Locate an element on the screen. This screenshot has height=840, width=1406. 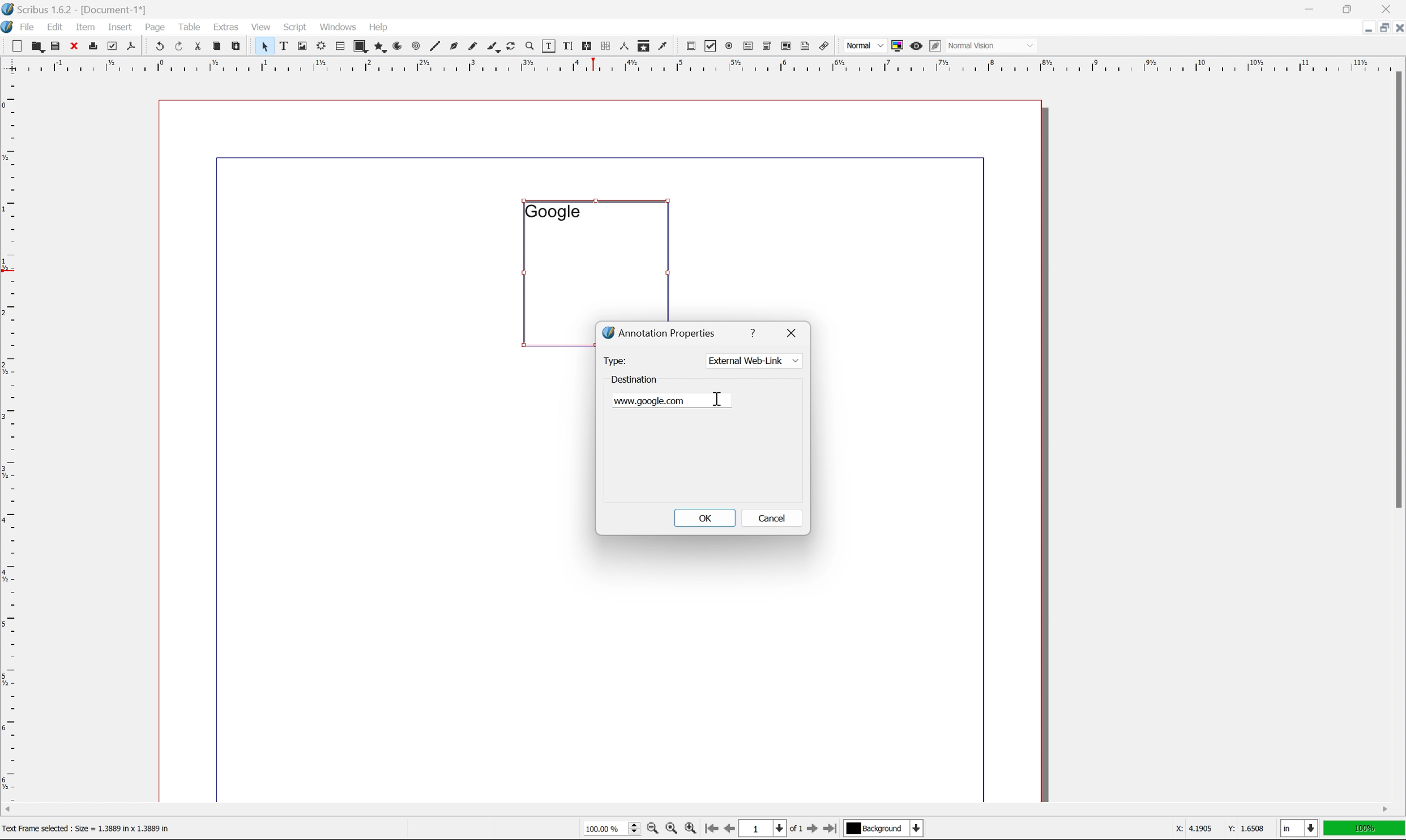
polygon is located at coordinates (381, 48).